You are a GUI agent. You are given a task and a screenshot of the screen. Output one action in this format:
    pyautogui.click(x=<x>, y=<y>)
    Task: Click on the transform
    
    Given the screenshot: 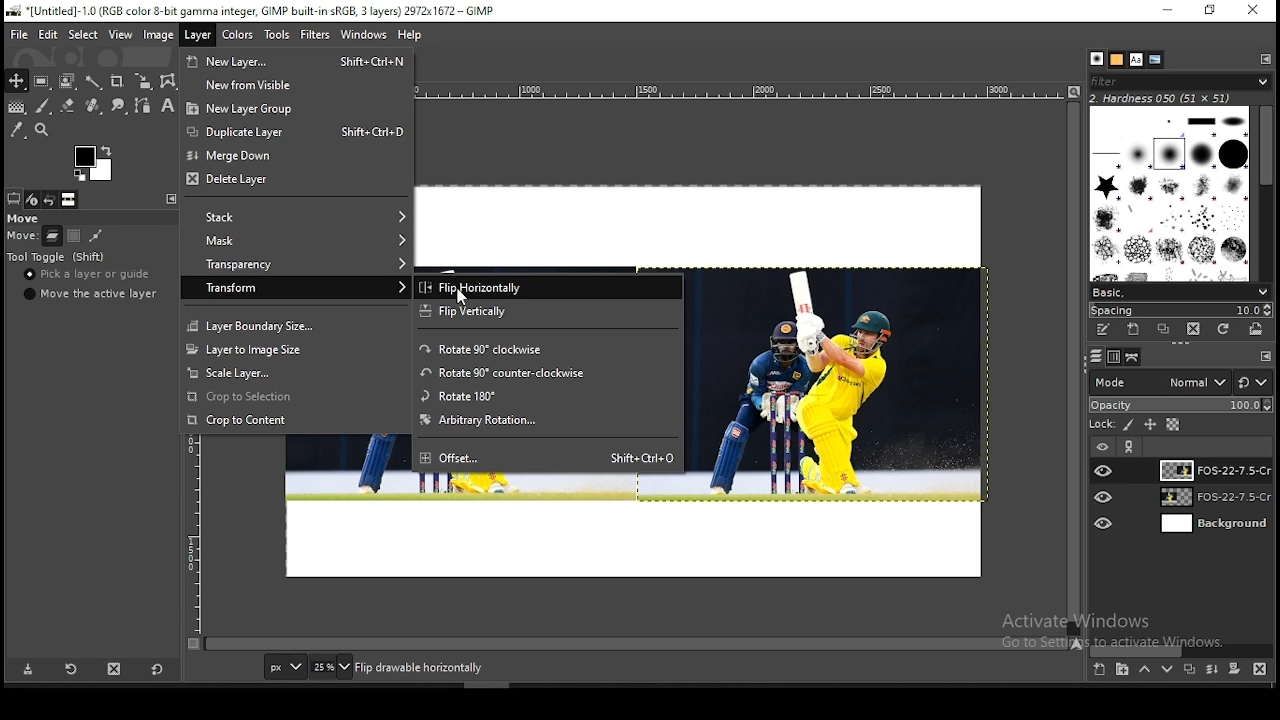 What is the action you would take?
    pyautogui.click(x=296, y=287)
    